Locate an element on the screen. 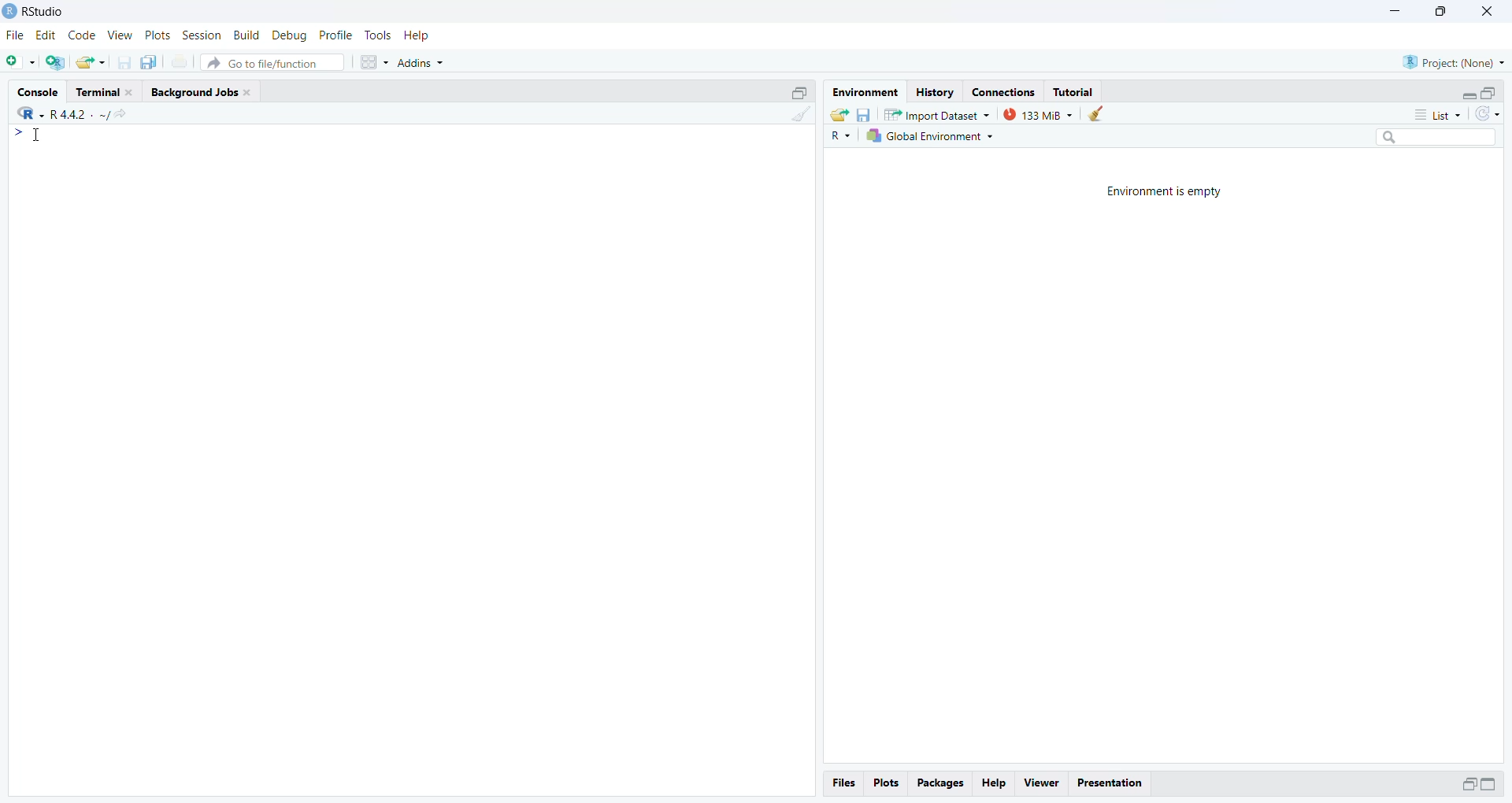 Image resolution: width=1512 pixels, height=803 pixels. Help is located at coordinates (417, 35).